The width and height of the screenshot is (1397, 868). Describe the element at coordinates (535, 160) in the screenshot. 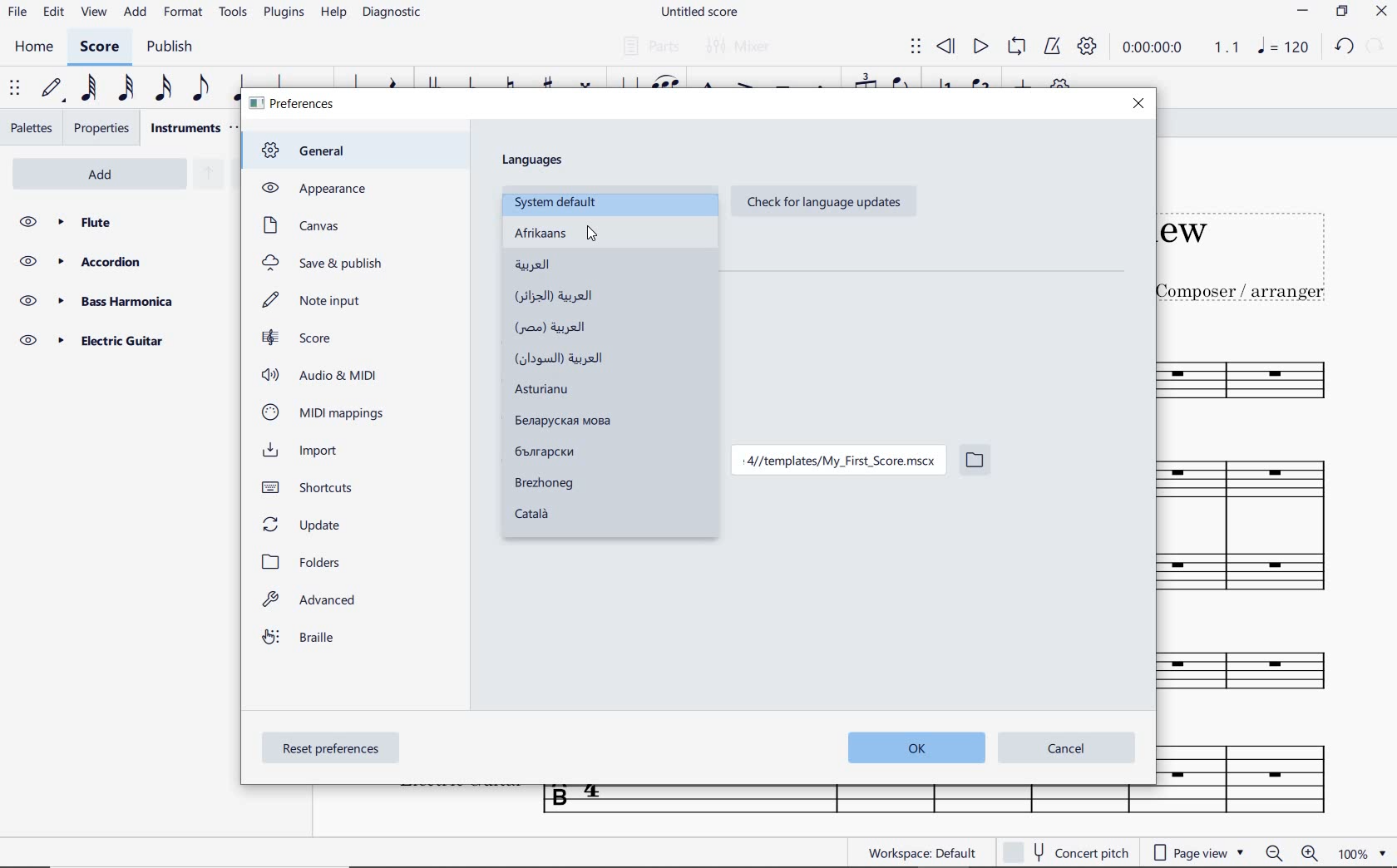

I see `languages` at that location.